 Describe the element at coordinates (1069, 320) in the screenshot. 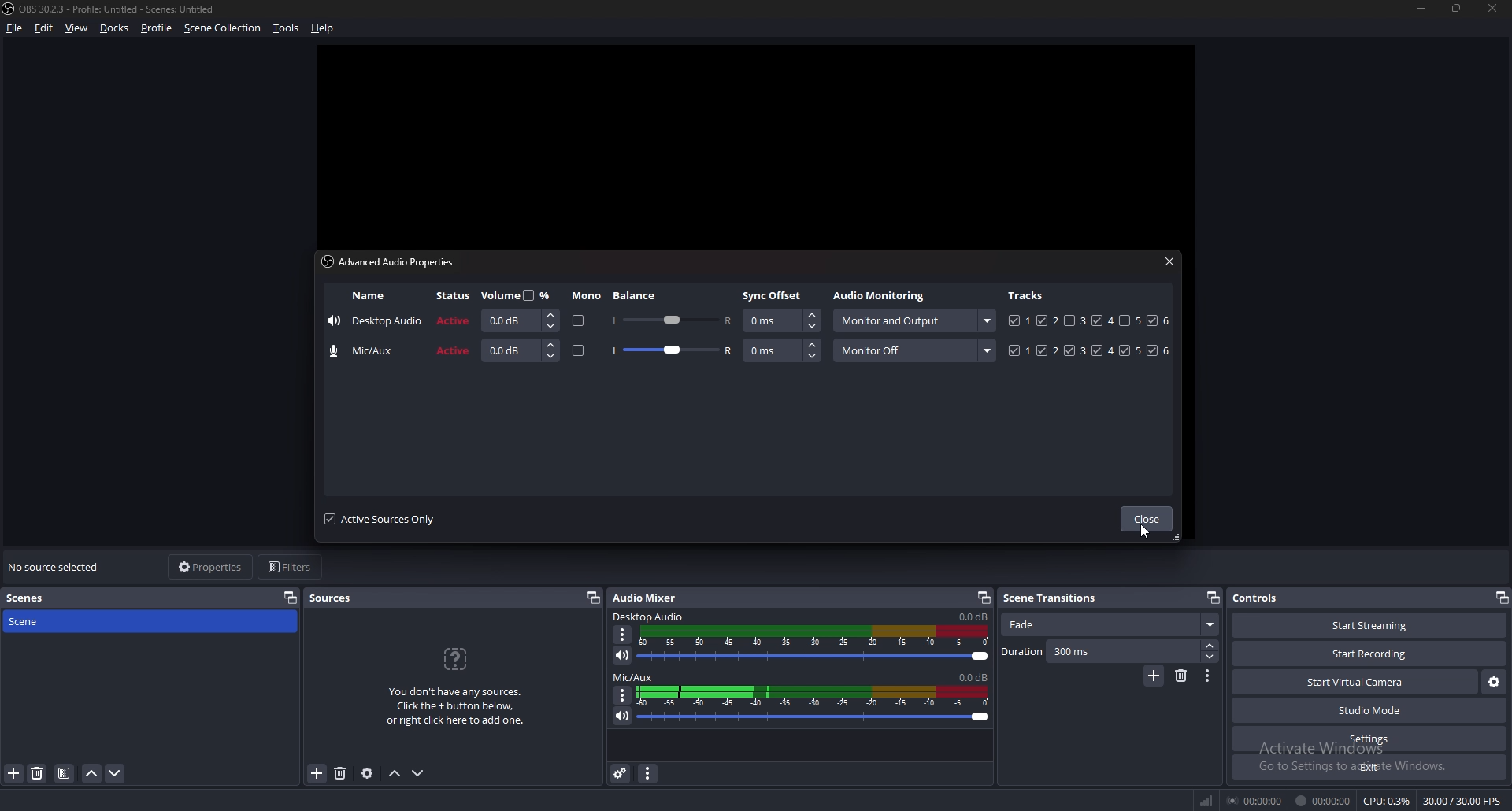

I see `track` at that location.